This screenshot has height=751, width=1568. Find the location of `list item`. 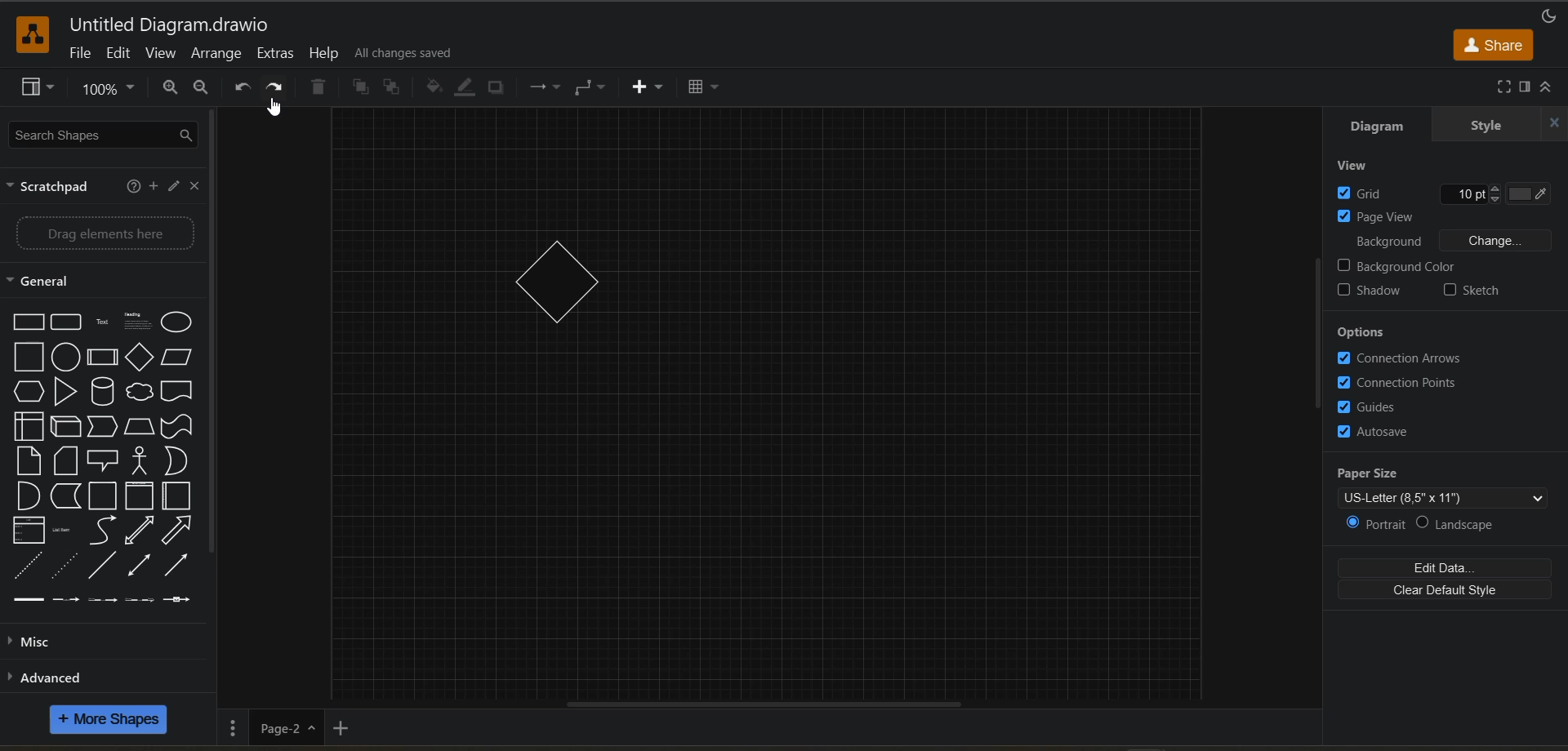

list item is located at coordinates (63, 528).